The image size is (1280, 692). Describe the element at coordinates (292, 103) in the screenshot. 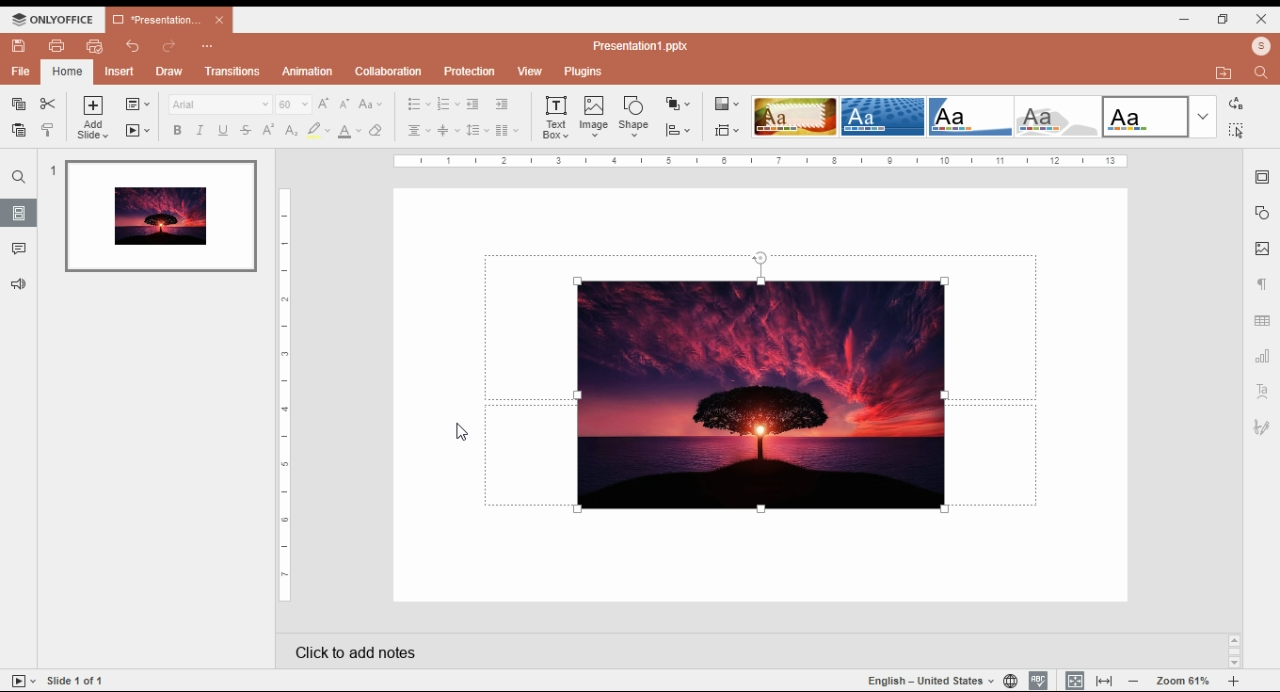

I see `font size` at that location.